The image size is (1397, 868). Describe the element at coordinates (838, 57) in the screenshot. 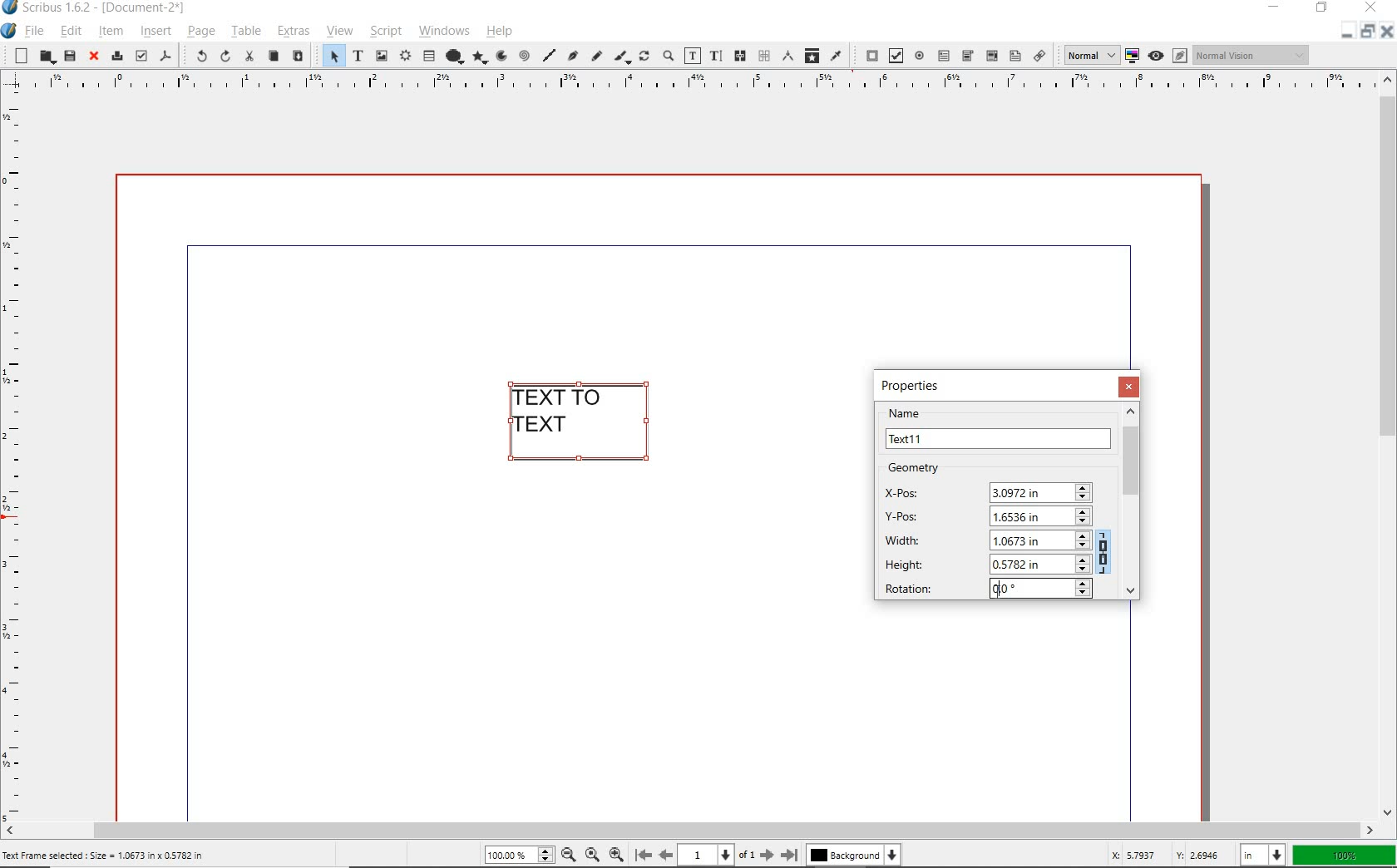

I see `eye dropper` at that location.